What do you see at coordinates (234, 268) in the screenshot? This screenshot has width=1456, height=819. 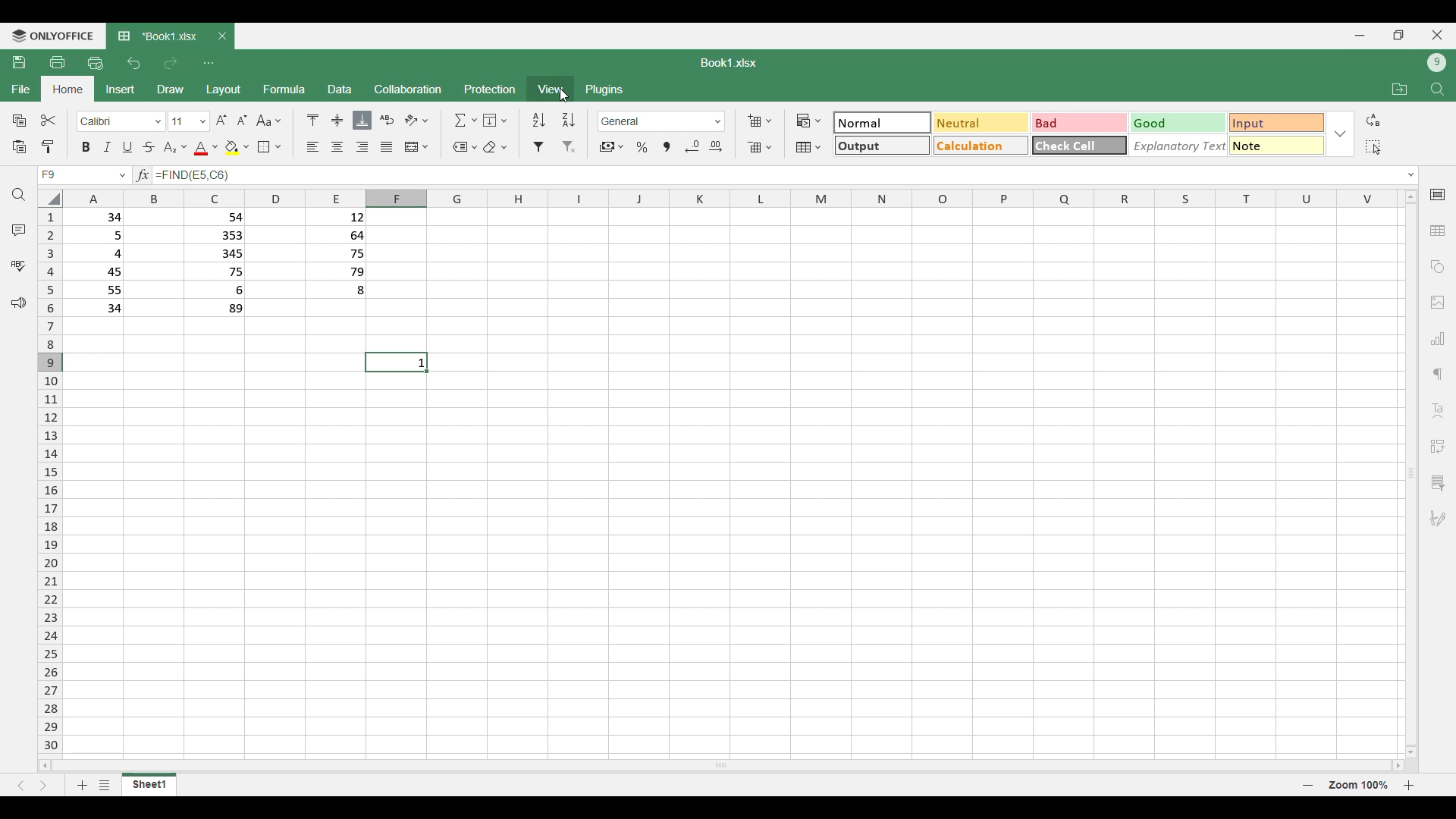 I see `row 1: 34  54 12   row 2: 5 353 64    row 3: 4  345  75  row 4: 45  75  79  row 5: 55  6  8  row 6:  34   89` at bounding box center [234, 268].